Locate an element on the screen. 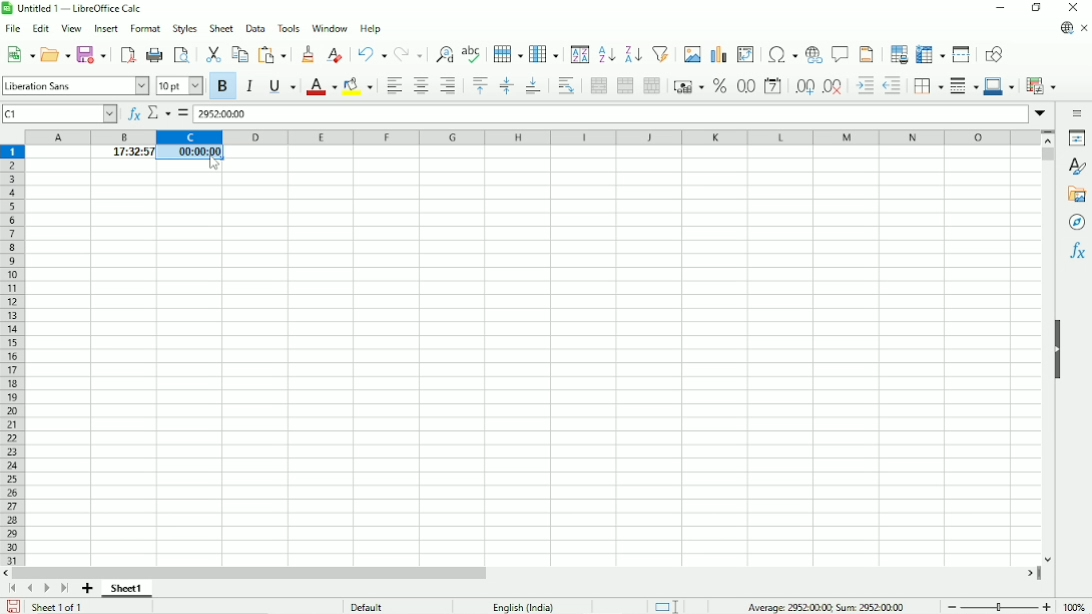 The width and height of the screenshot is (1092, 614). Merge cells is located at coordinates (624, 86).